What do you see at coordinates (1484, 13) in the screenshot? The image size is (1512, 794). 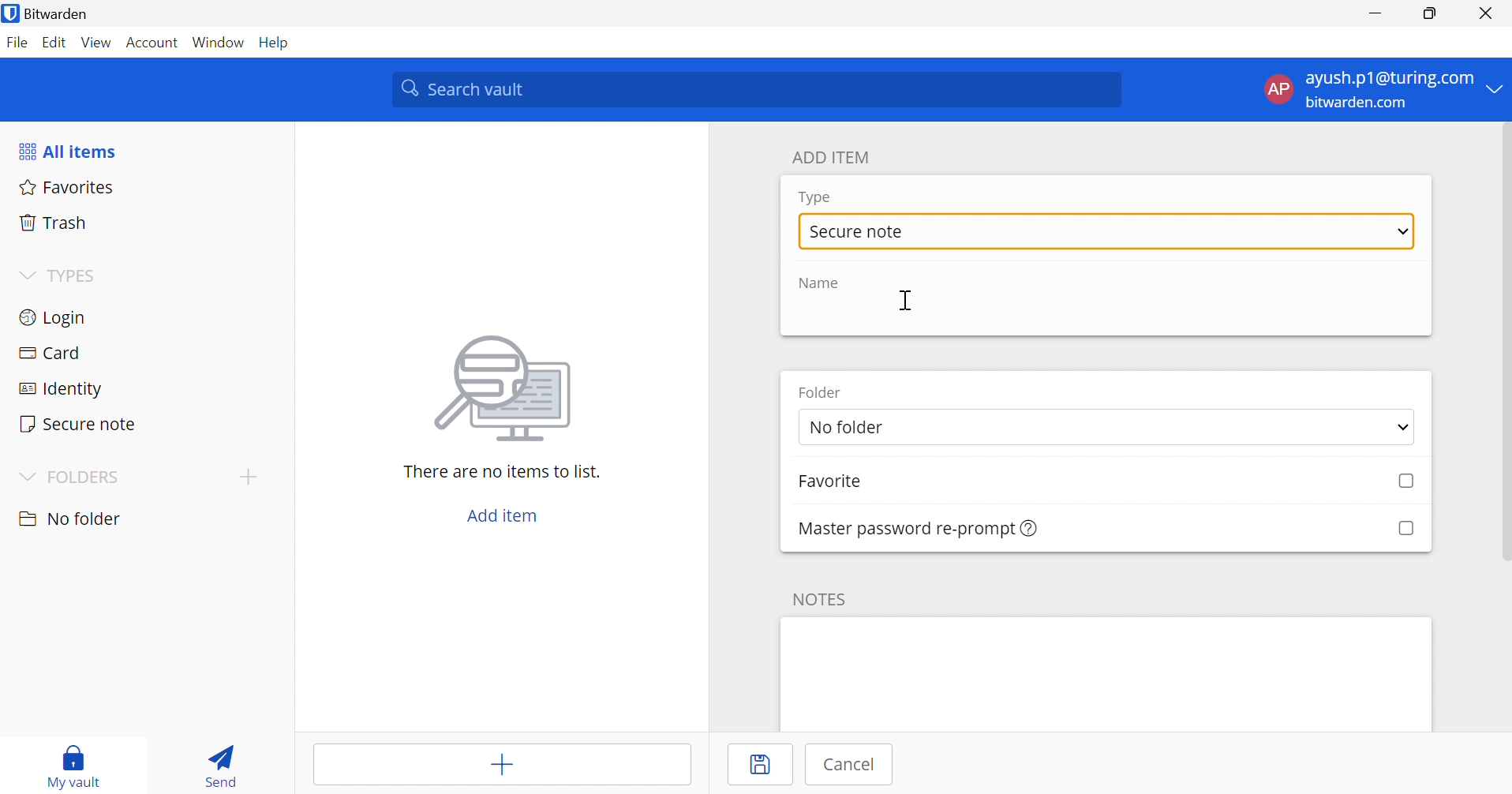 I see `Close` at bounding box center [1484, 13].